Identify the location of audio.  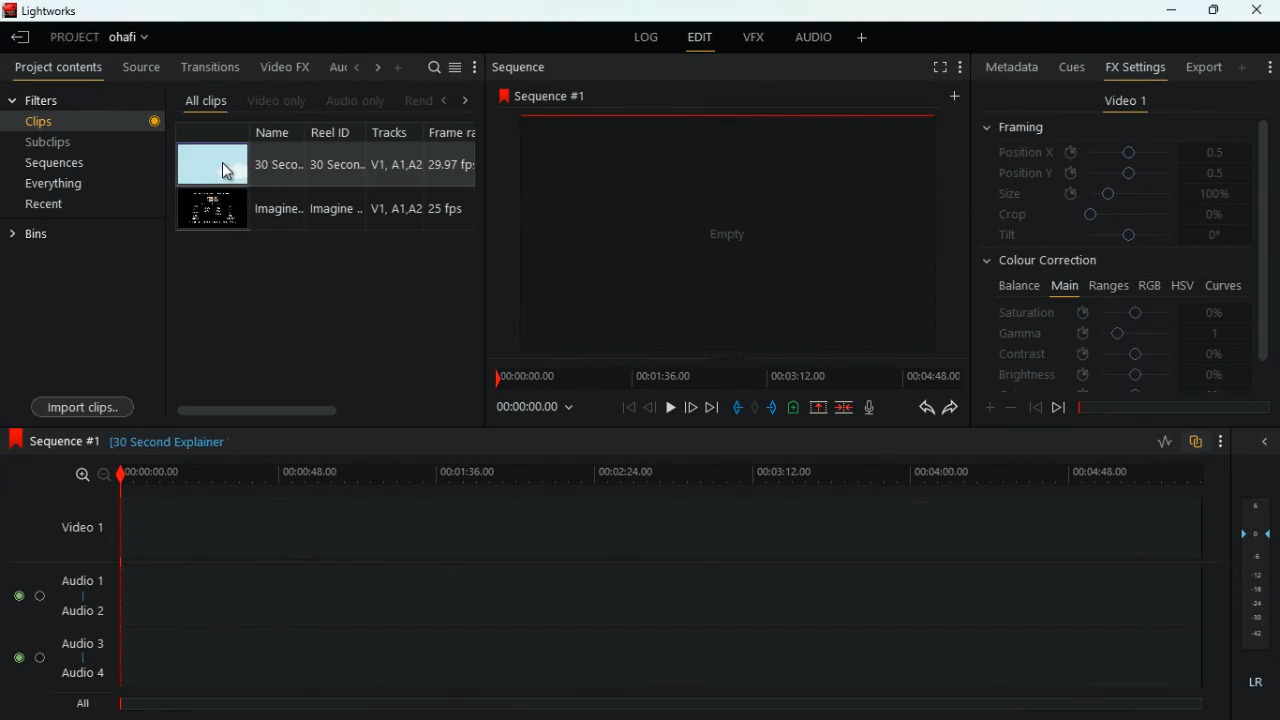
(807, 37).